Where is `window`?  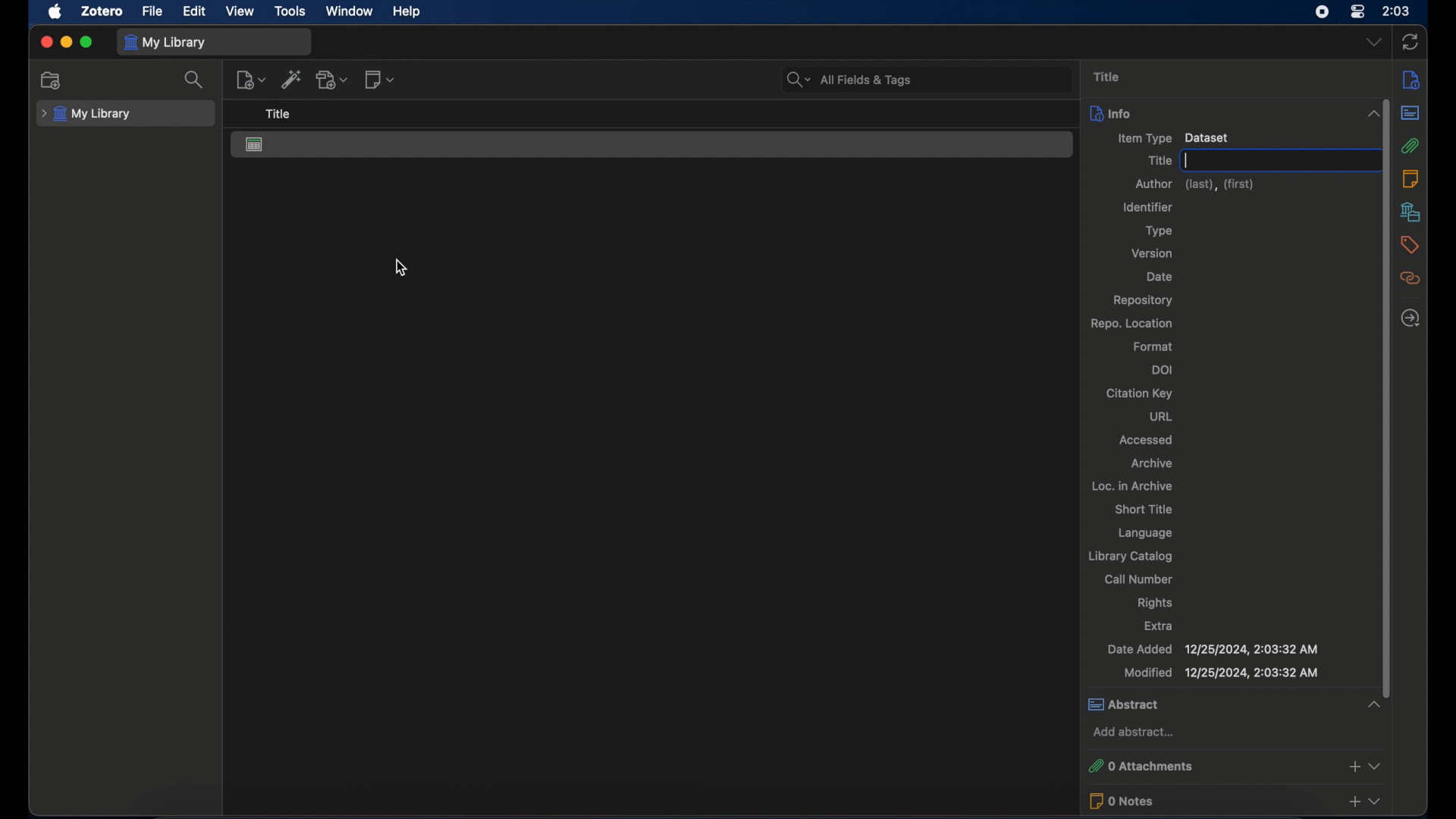
window is located at coordinates (350, 11).